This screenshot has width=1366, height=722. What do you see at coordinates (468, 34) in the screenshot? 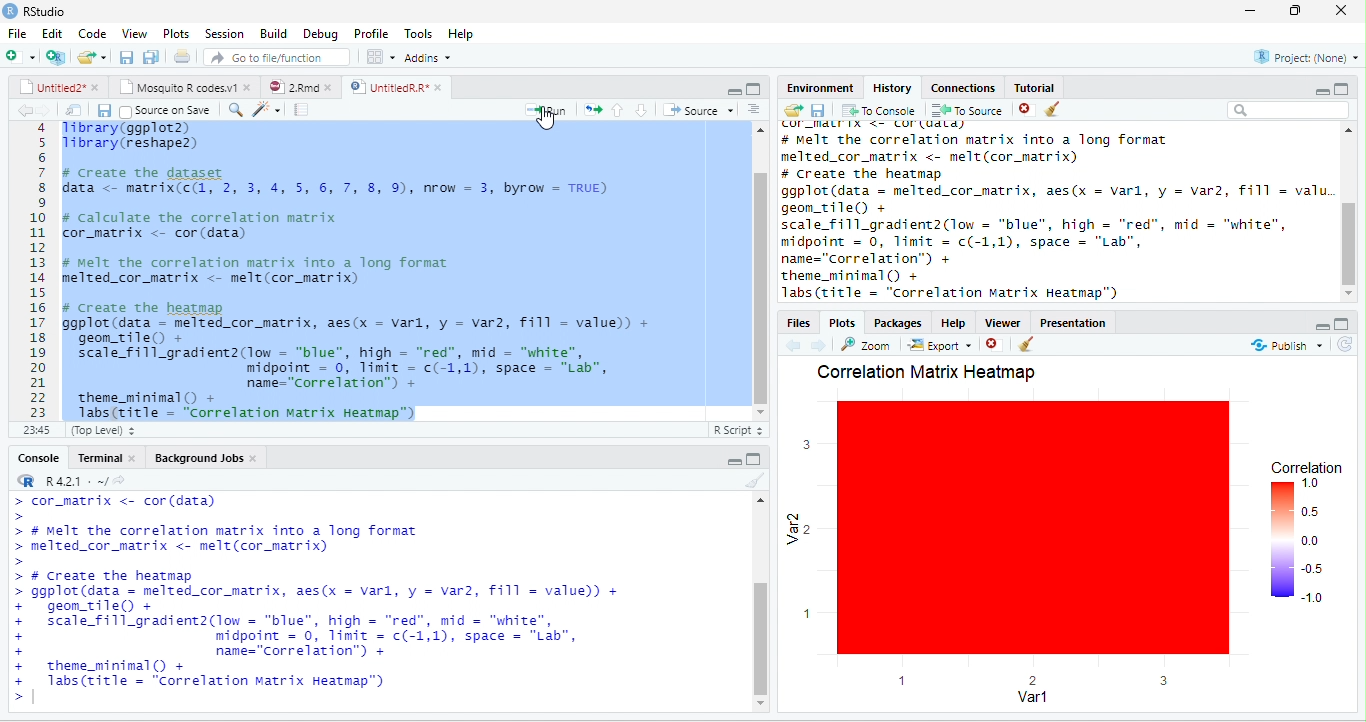
I see `help` at bounding box center [468, 34].